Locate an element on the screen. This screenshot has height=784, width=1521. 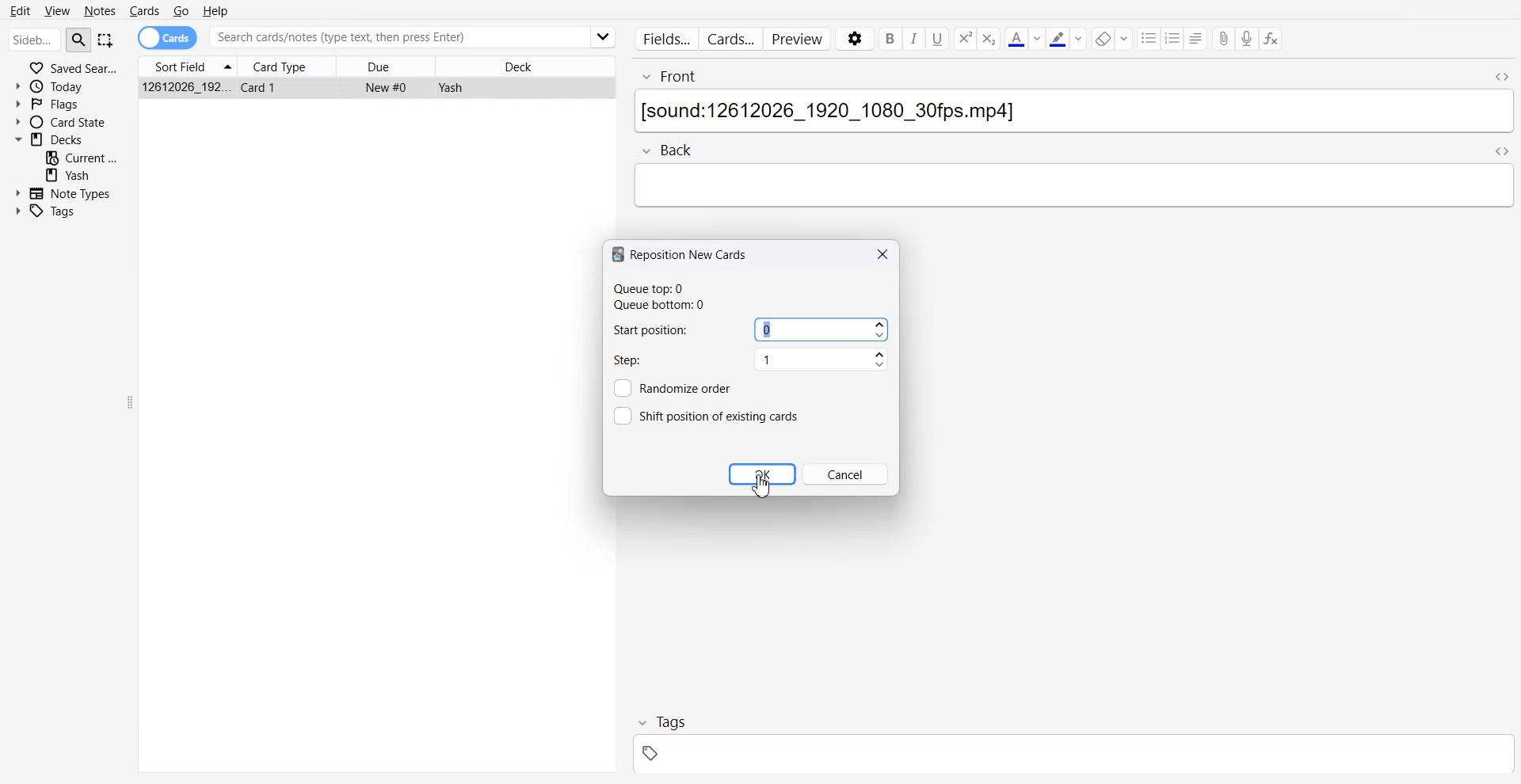
Tag is located at coordinates (658, 721).